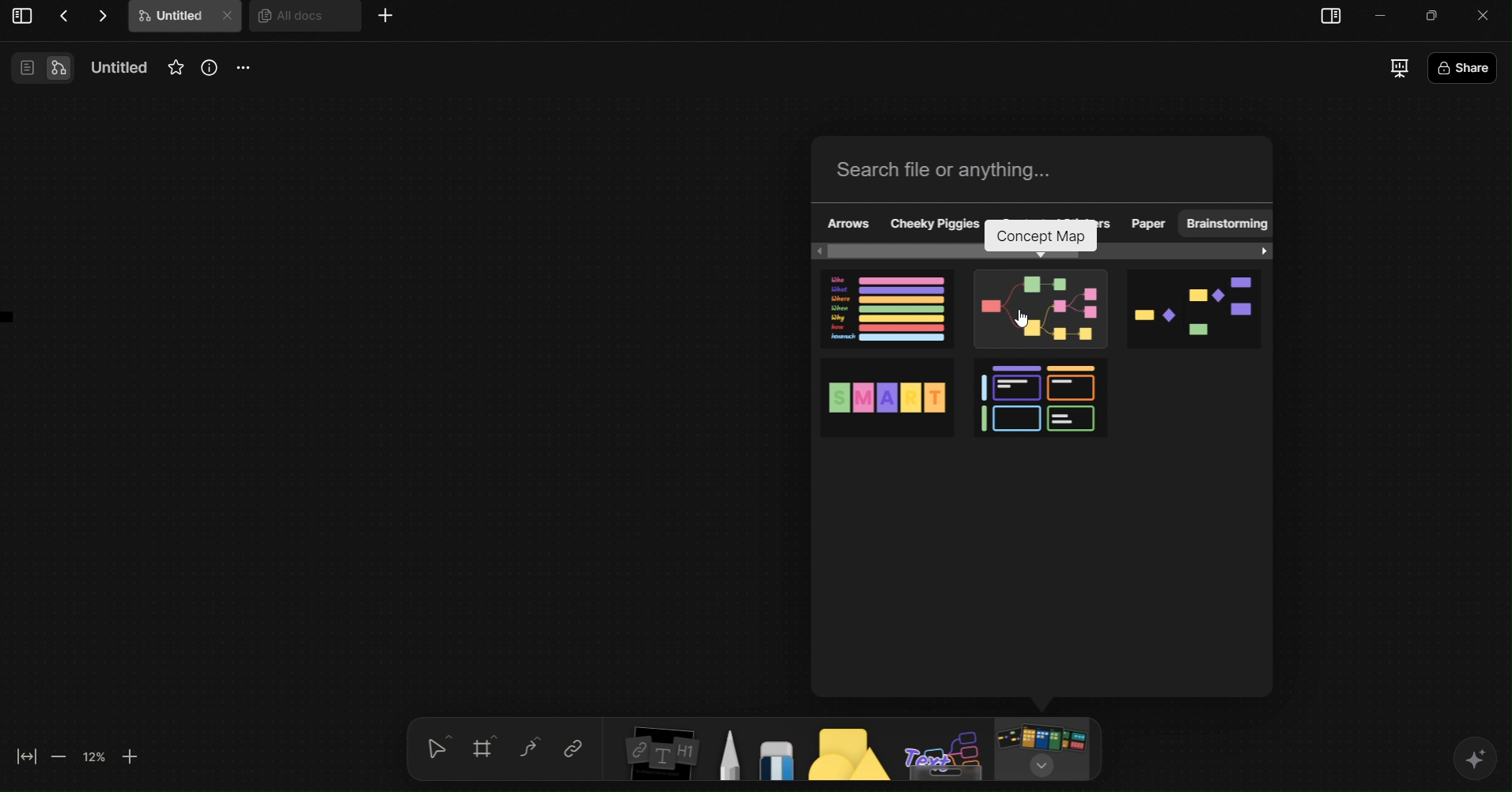 This screenshot has width=1512, height=792. I want to click on Presentation Mode, so click(1400, 70).